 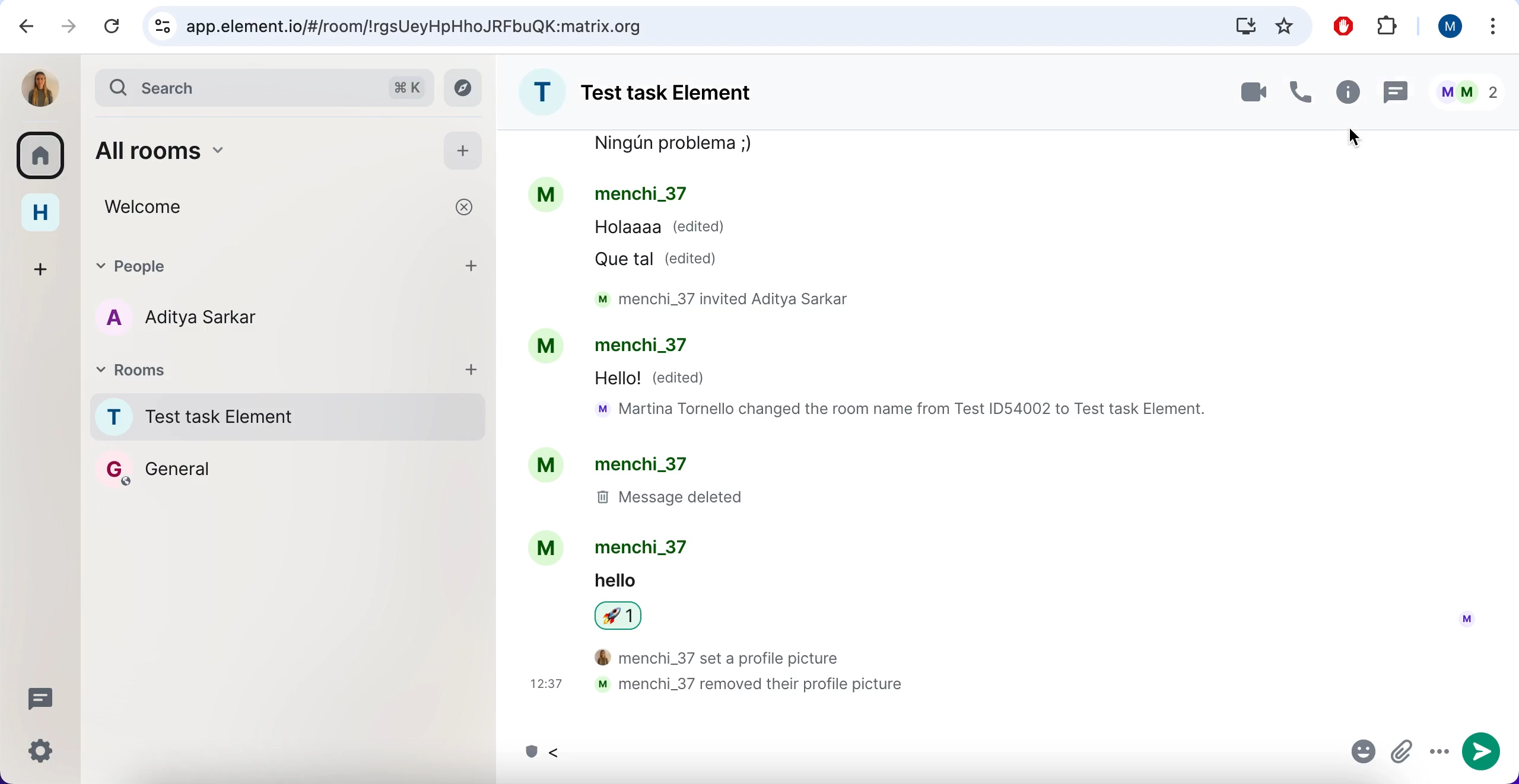 I want to click on all rooms, so click(x=253, y=152).